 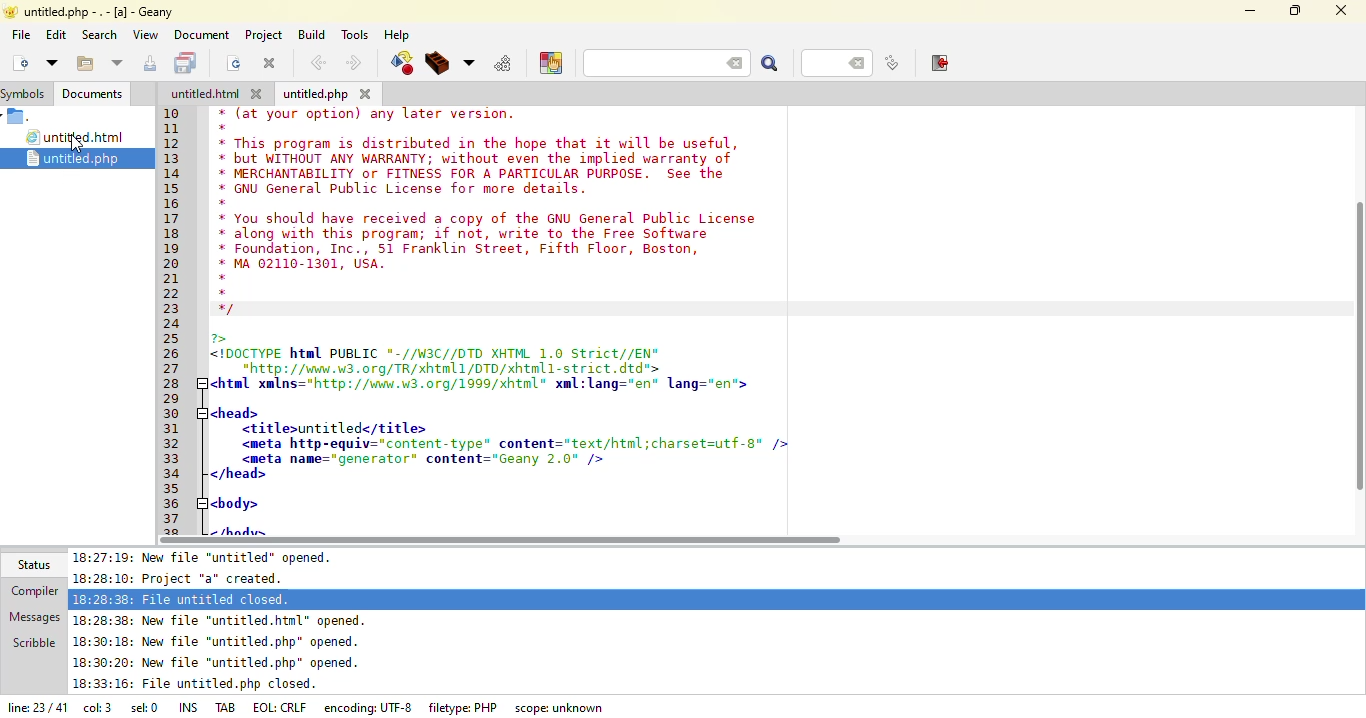 What do you see at coordinates (201, 36) in the screenshot?
I see `document` at bounding box center [201, 36].